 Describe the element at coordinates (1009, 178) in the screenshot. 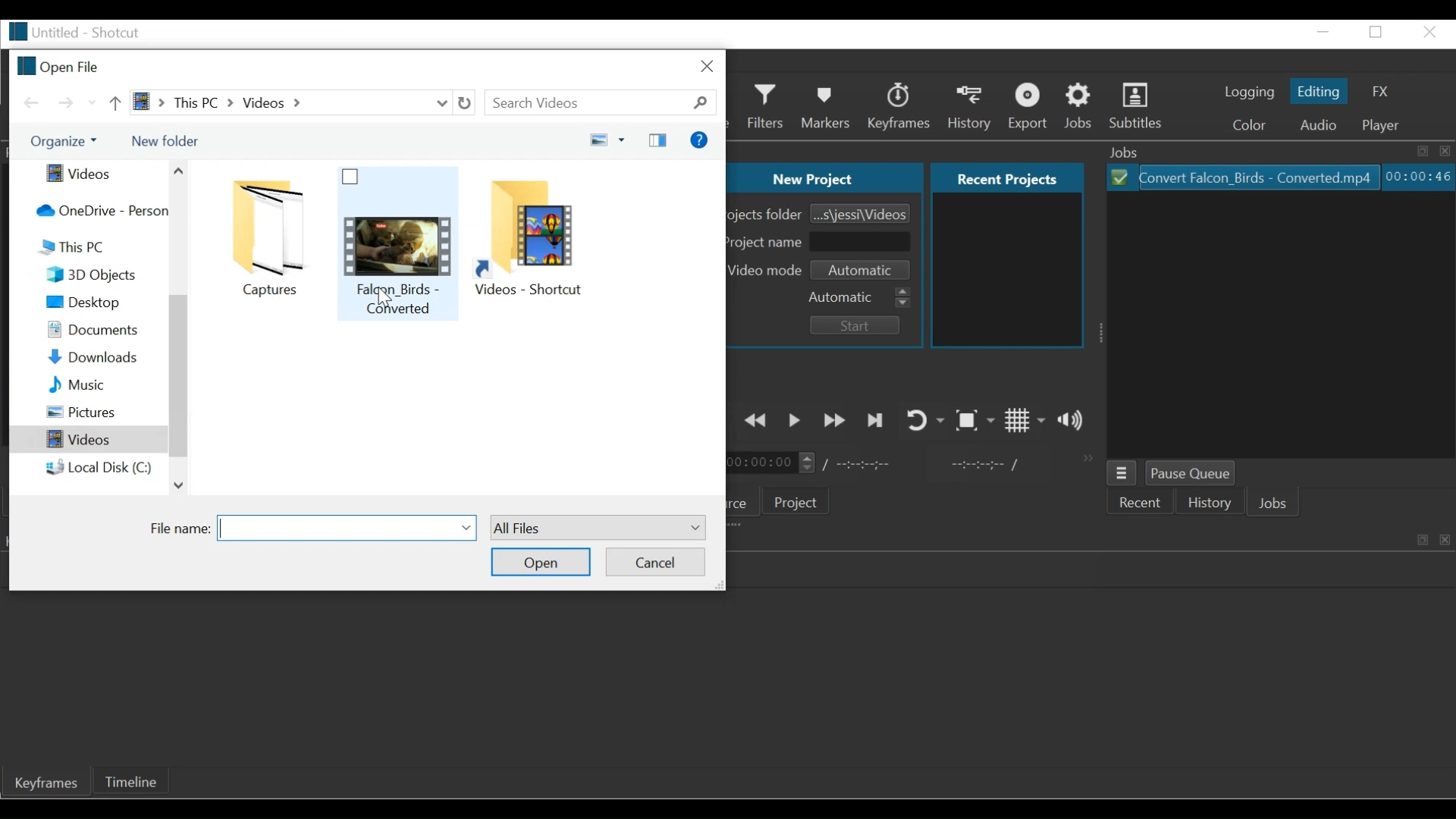

I see `Recent projects Tab` at that location.